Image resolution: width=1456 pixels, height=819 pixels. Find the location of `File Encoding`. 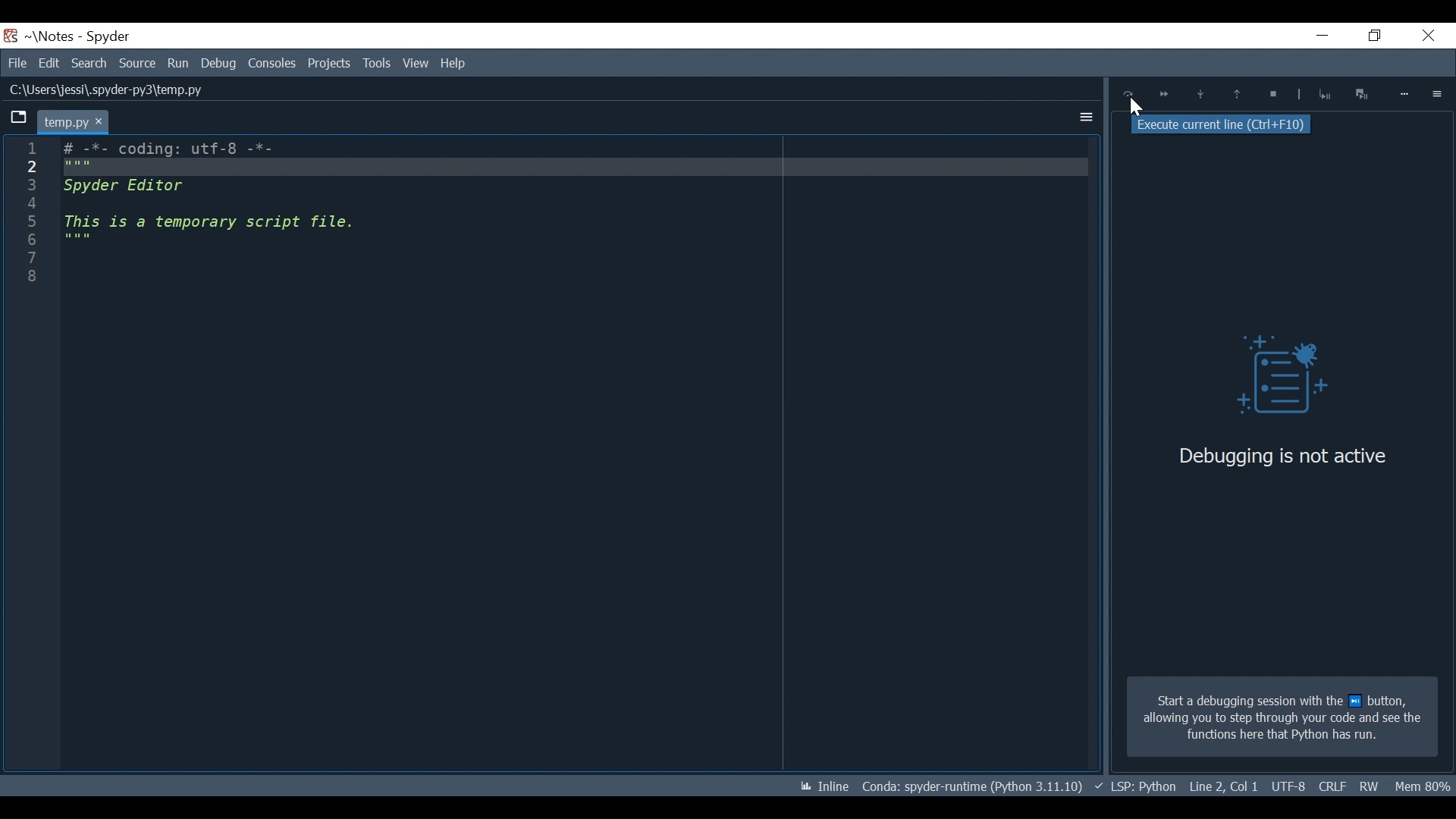

File Encoding is located at coordinates (1332, 786).